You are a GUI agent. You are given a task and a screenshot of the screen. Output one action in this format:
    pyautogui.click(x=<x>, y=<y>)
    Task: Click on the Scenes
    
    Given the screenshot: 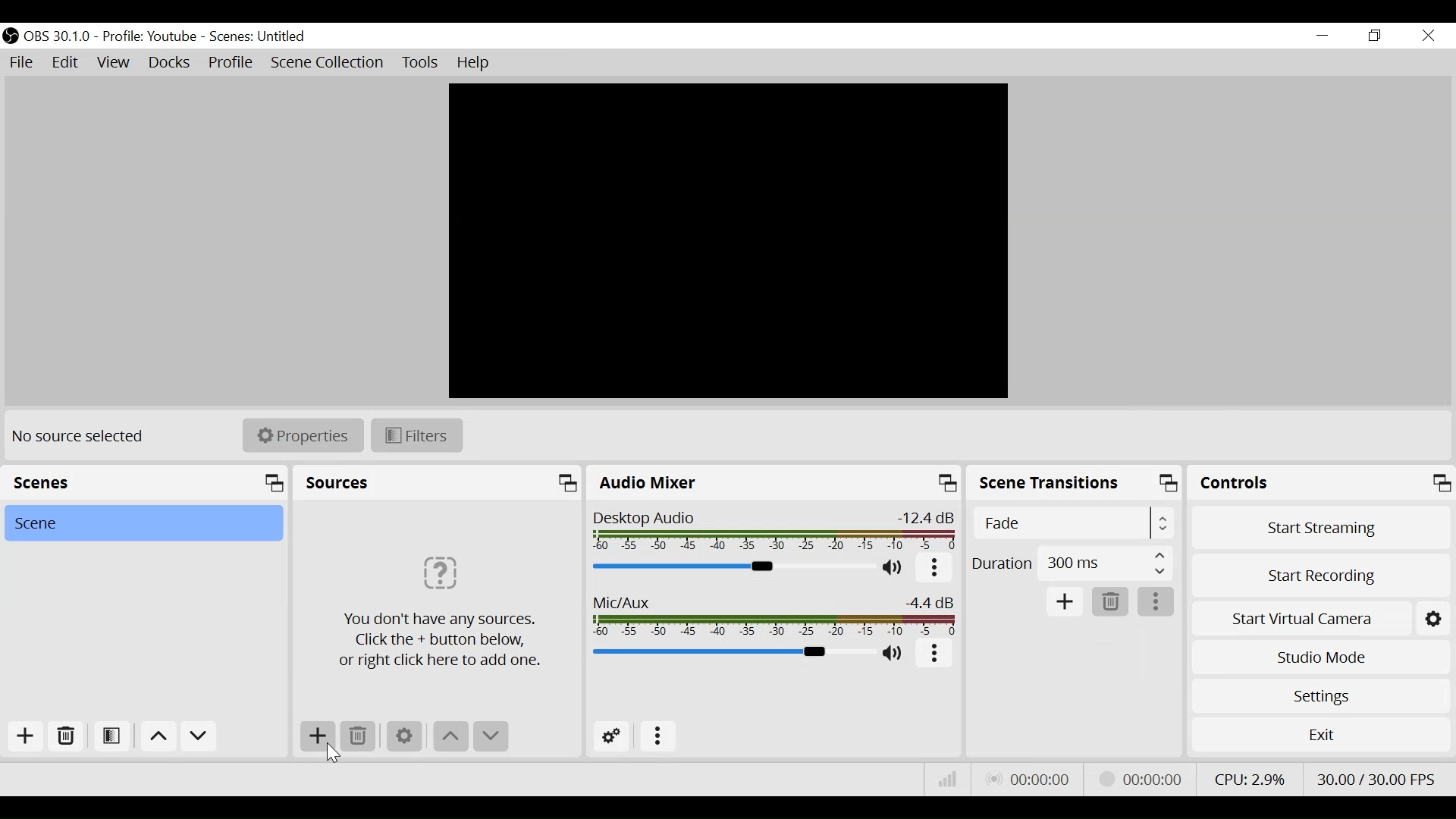 What is the action you would take?
    pyautogui.click(x=262, y=36)
    